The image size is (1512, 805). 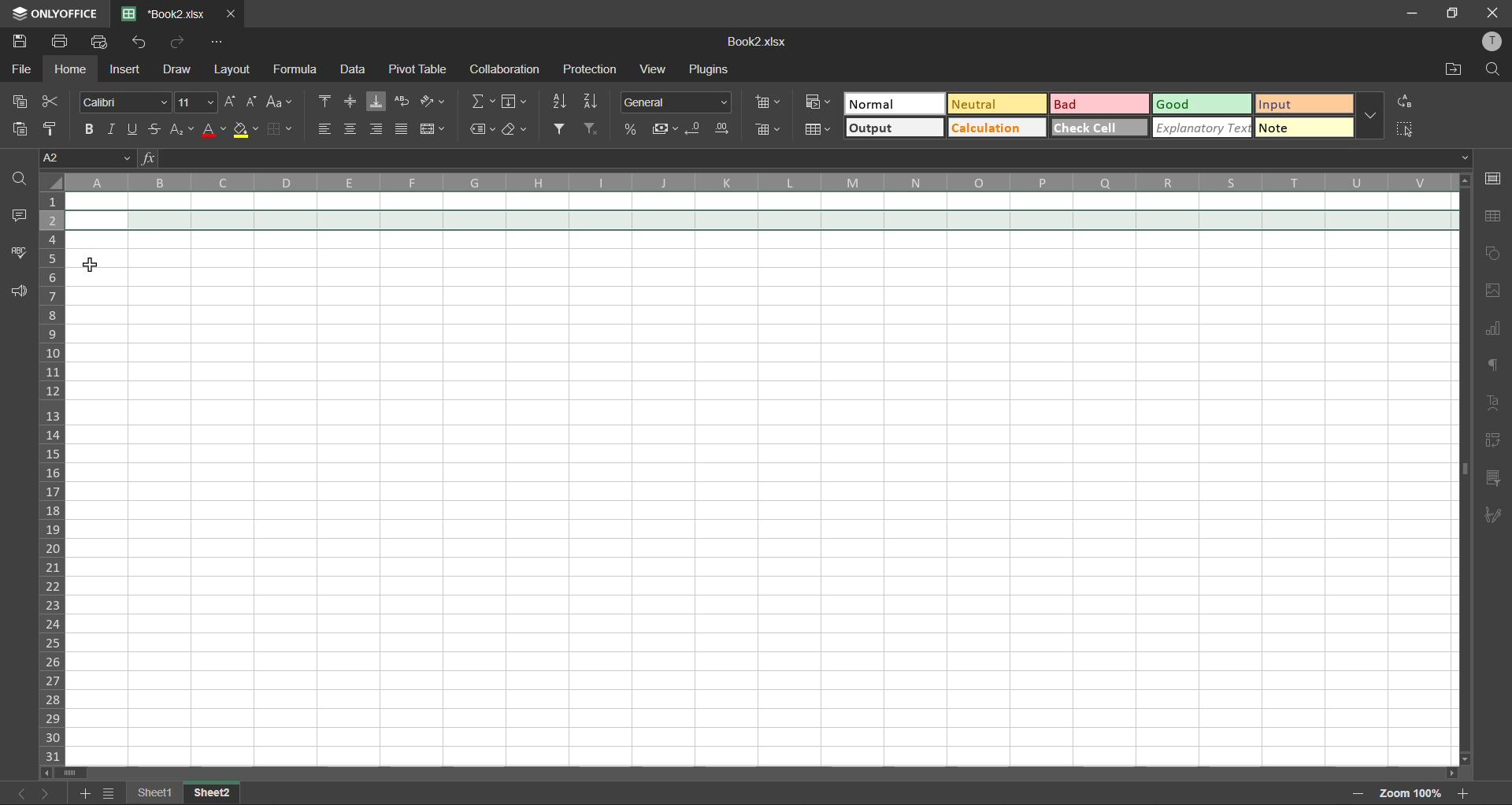 What do you see at coordinates (591, 130) in the screenshot?
I see `clear filter` at bounding box center [591, 130].